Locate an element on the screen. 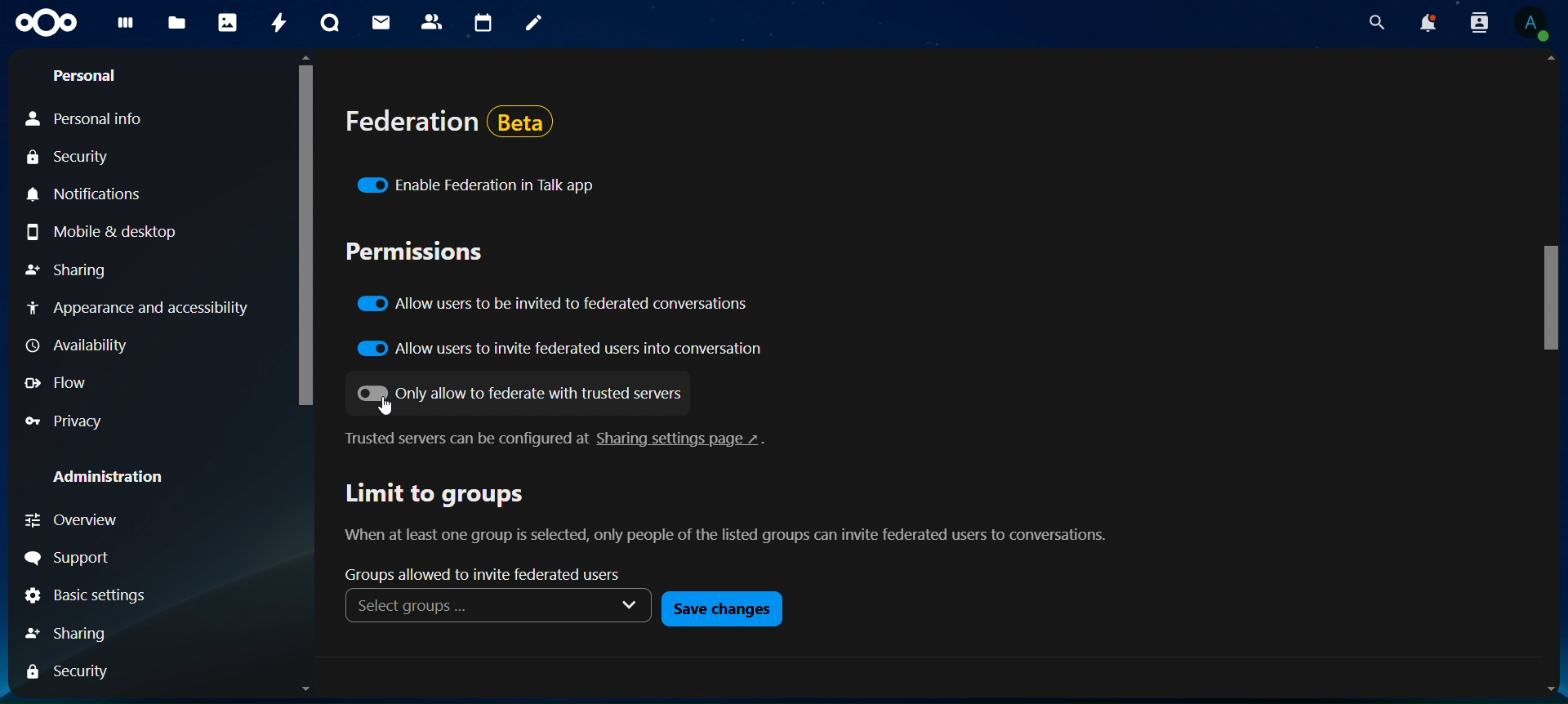 This screenshot has height=704, width=1568. contacts is located at coordinates (433, 21).